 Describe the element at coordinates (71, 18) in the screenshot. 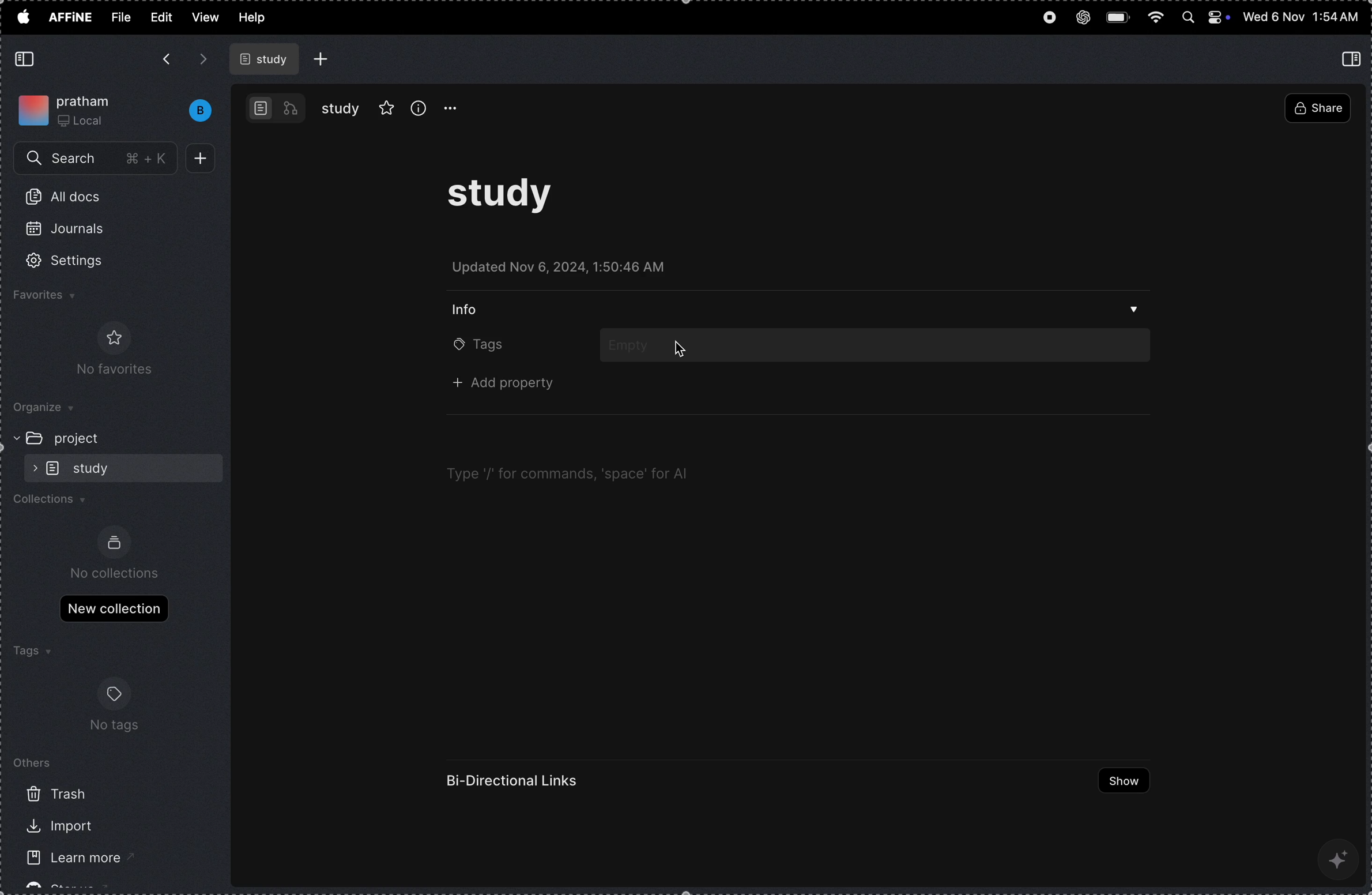

I see `affine` at that location.